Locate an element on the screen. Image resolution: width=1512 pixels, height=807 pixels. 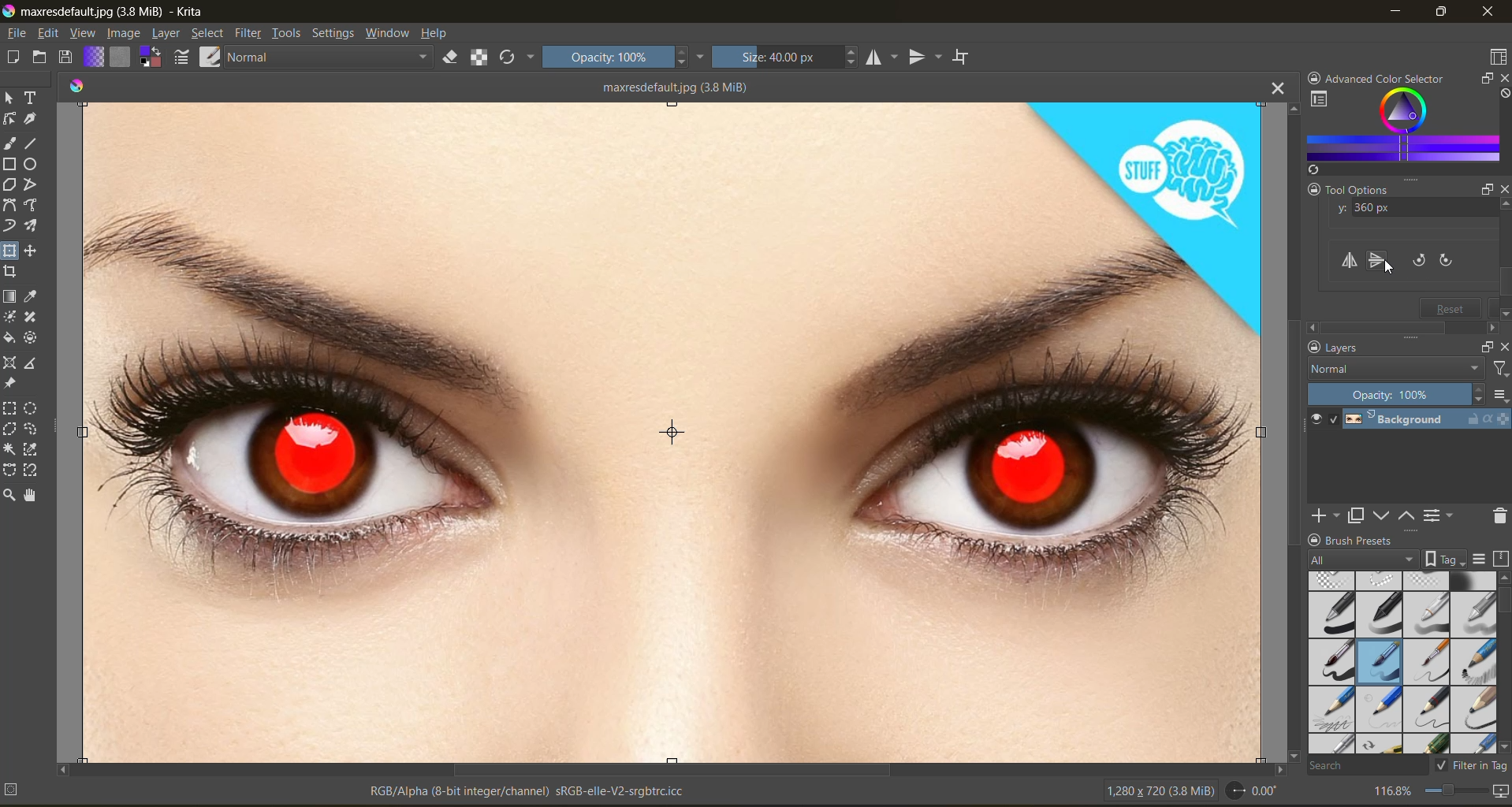
filter is located at coordinates (1498, 367).